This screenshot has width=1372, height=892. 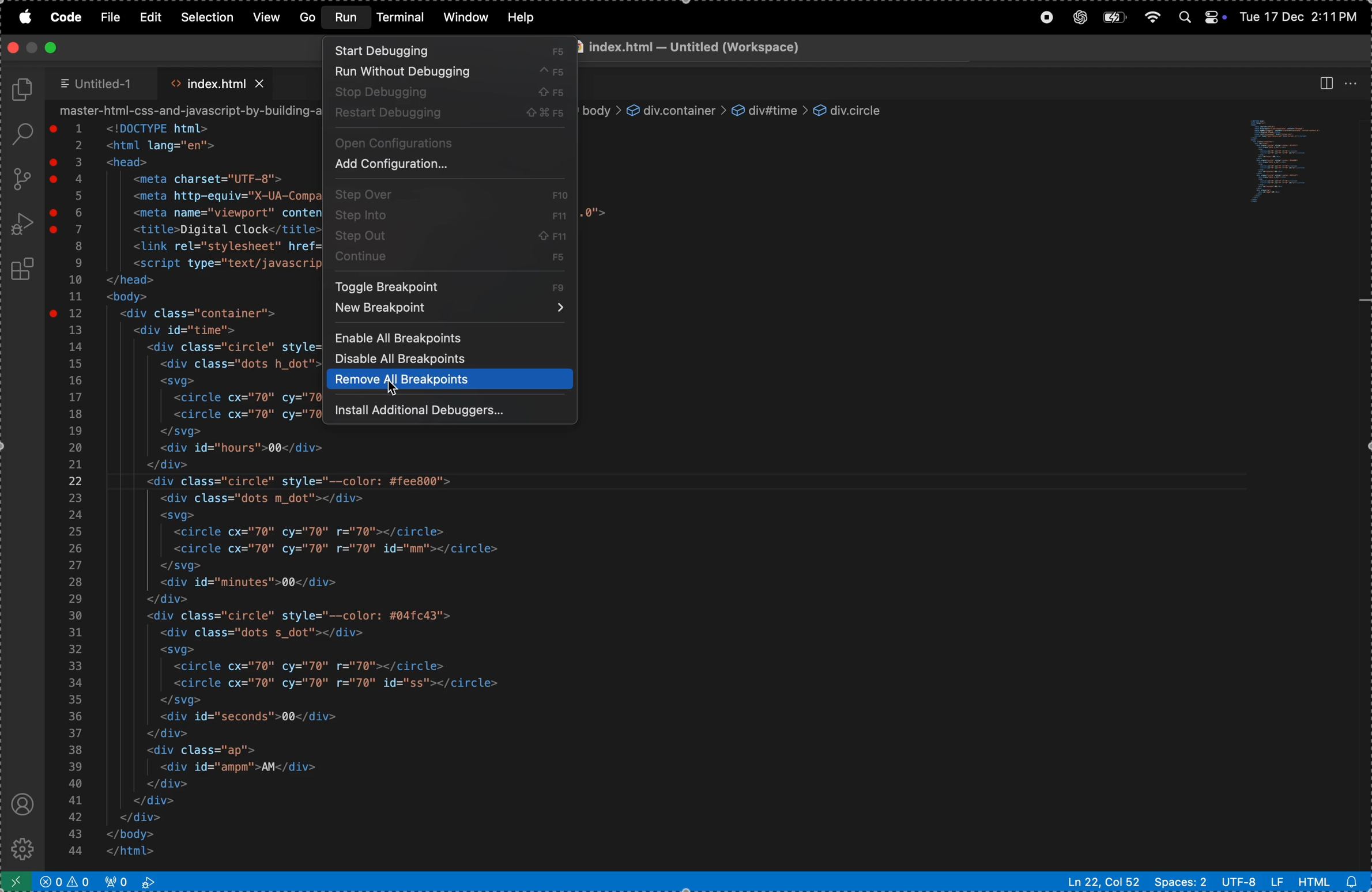 I want to click on terminal, so click(x=402, y=19).